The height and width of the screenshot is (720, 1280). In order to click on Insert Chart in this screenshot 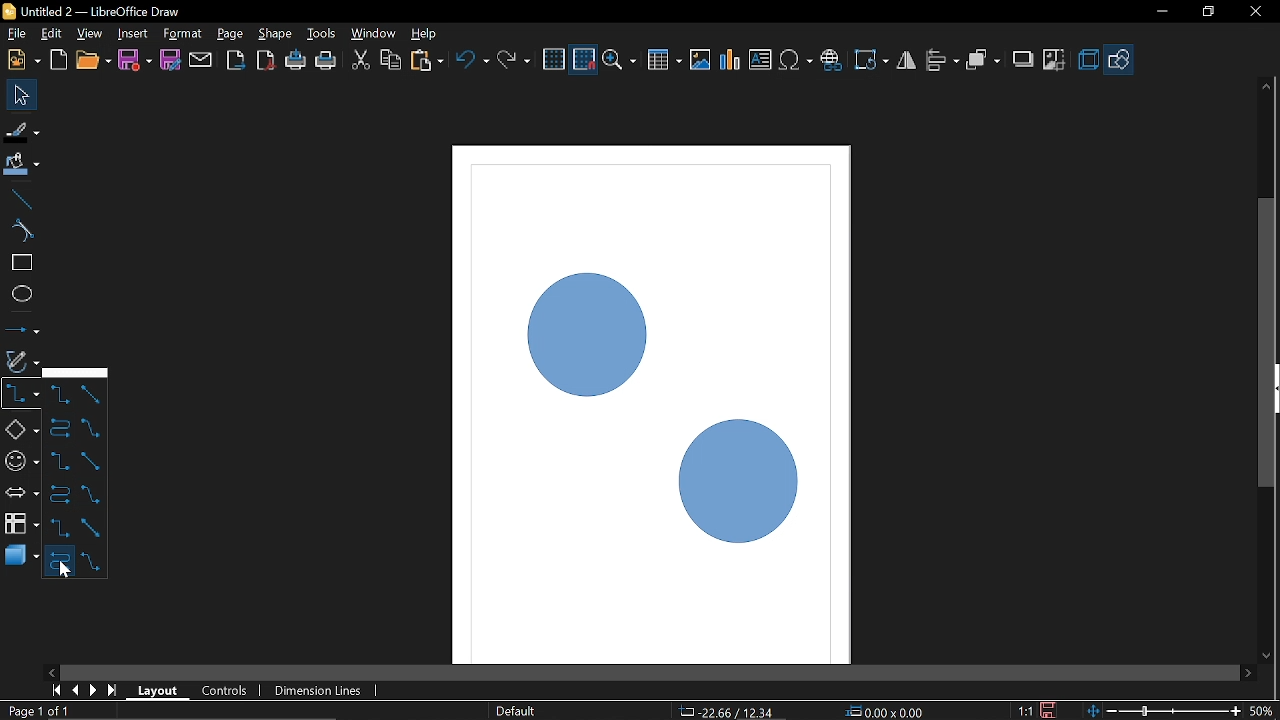, I will do `click(730, 61)`.